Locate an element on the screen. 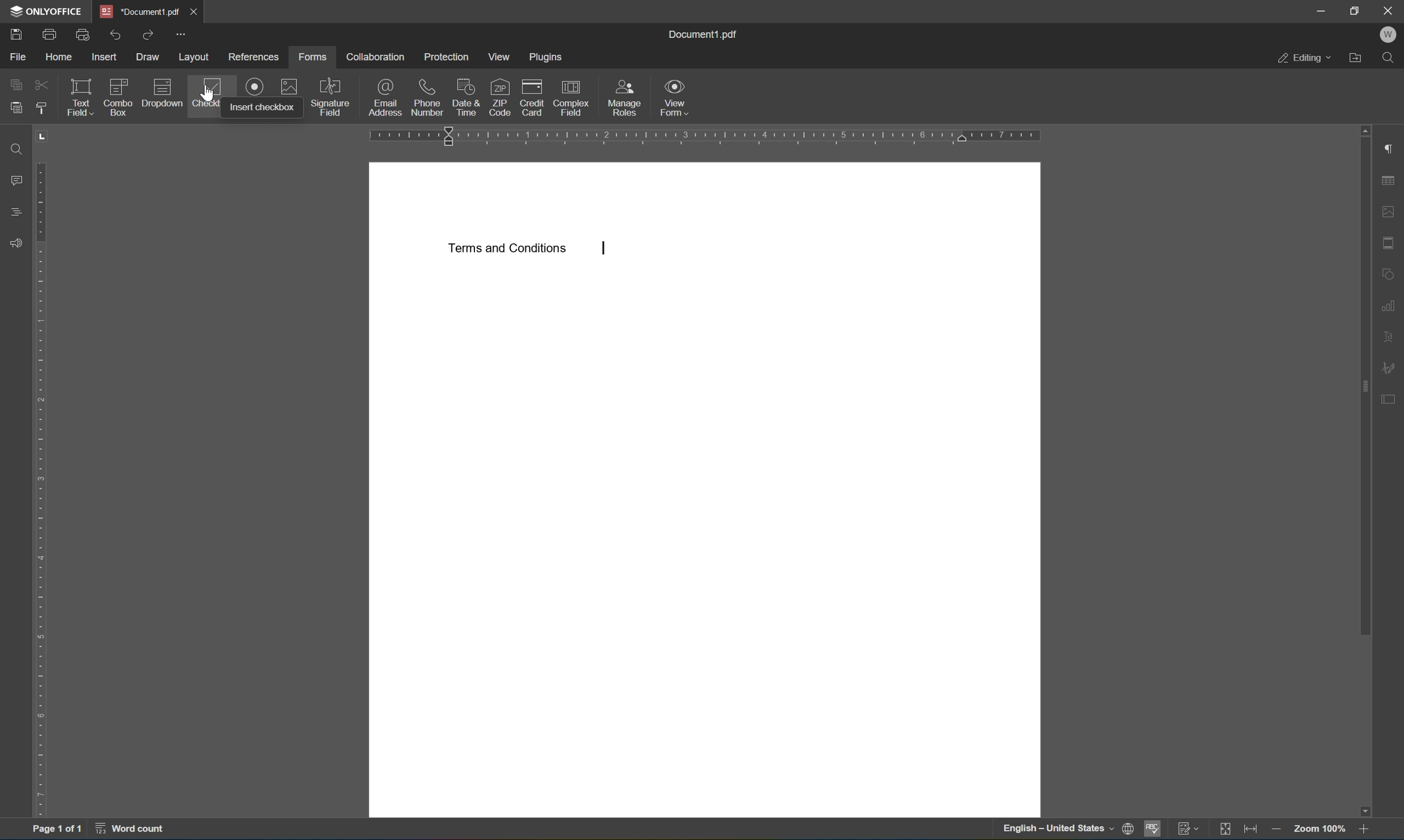  typing cursor is located at coordinates (605, 249).